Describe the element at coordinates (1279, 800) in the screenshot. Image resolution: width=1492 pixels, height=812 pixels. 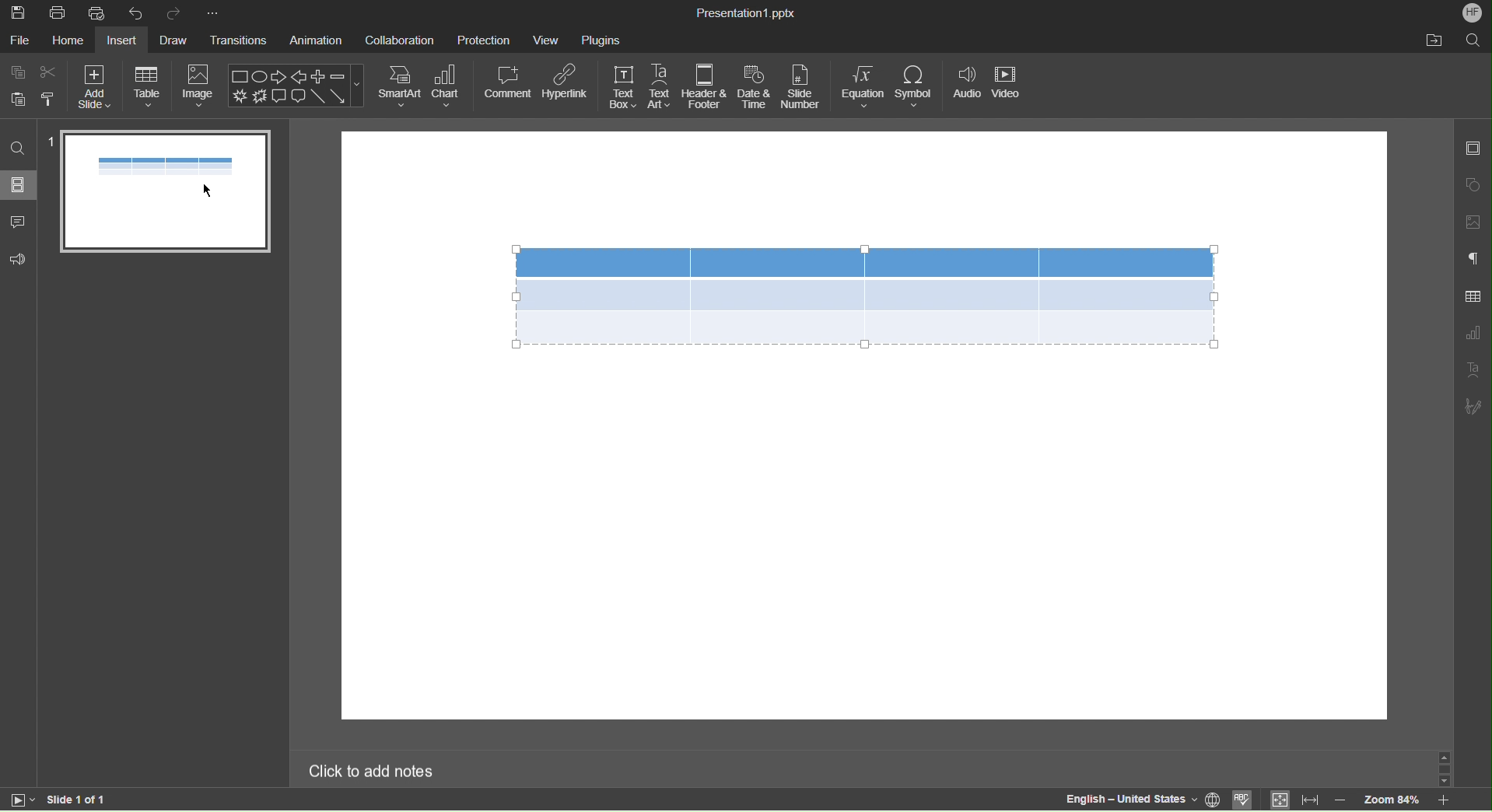
I see `fit to slide` at that location.